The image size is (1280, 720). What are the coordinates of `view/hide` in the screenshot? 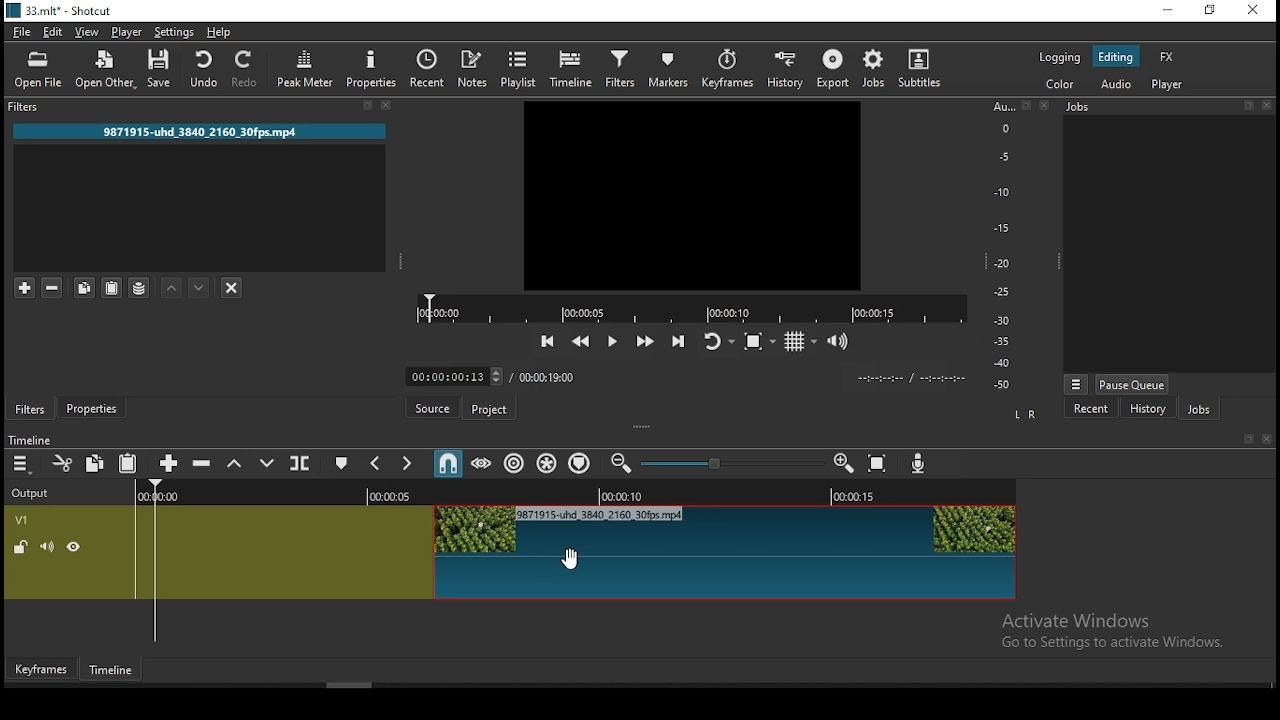 It's located at (74, 547).